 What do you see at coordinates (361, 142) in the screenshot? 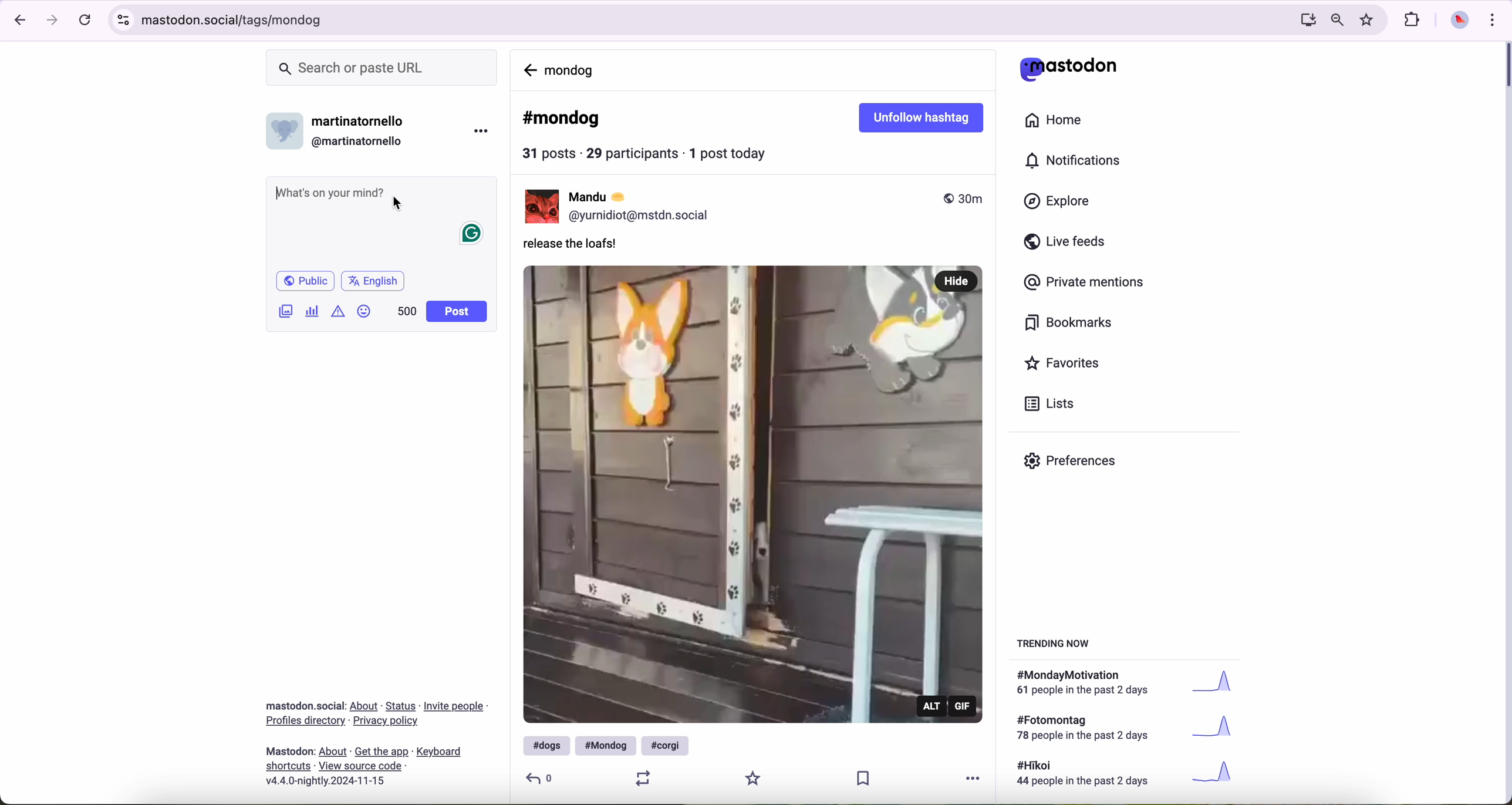
I see `user id` at bounding box center [361, 142].